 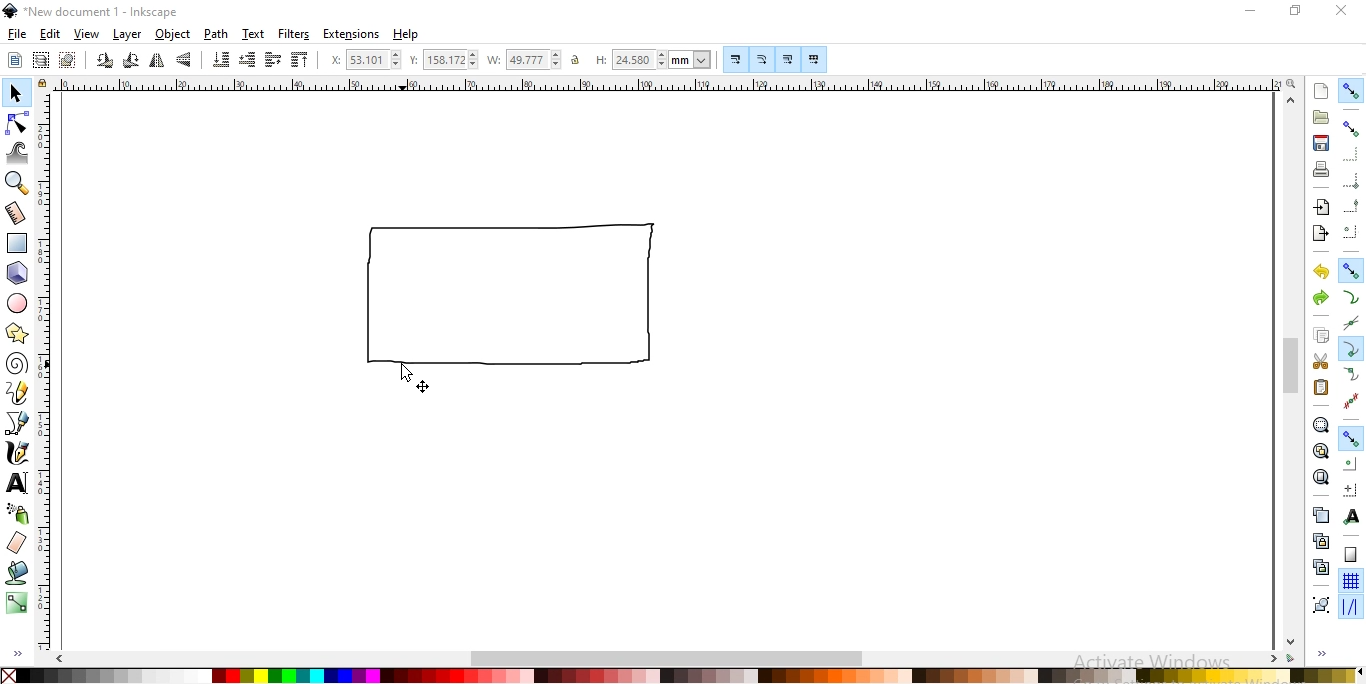 I want to click on snap centers ofbounding boxes, so click(x=1352, y=230).